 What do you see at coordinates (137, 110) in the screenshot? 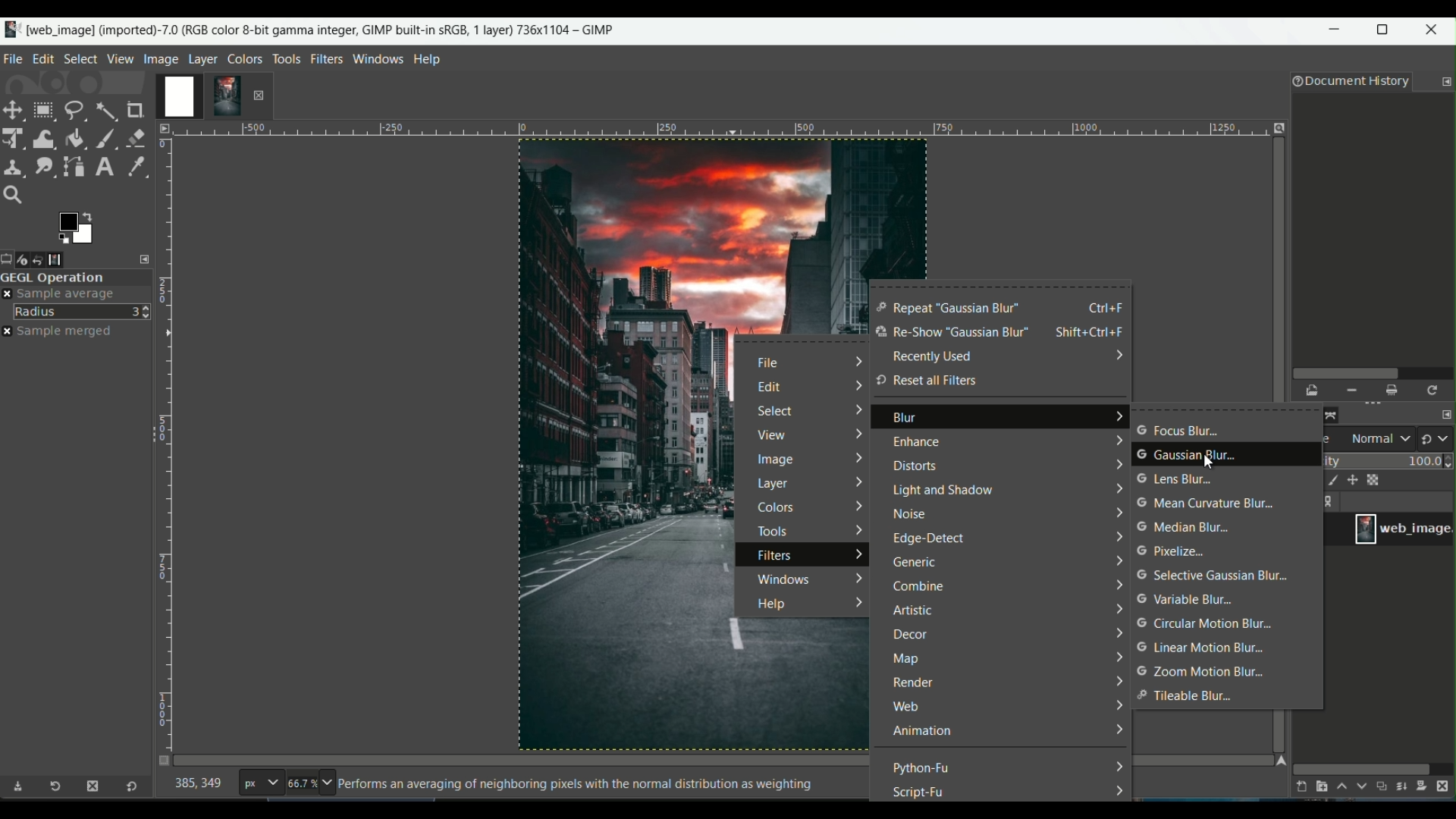
I see `crop tool` at bounding box center [137, 110].